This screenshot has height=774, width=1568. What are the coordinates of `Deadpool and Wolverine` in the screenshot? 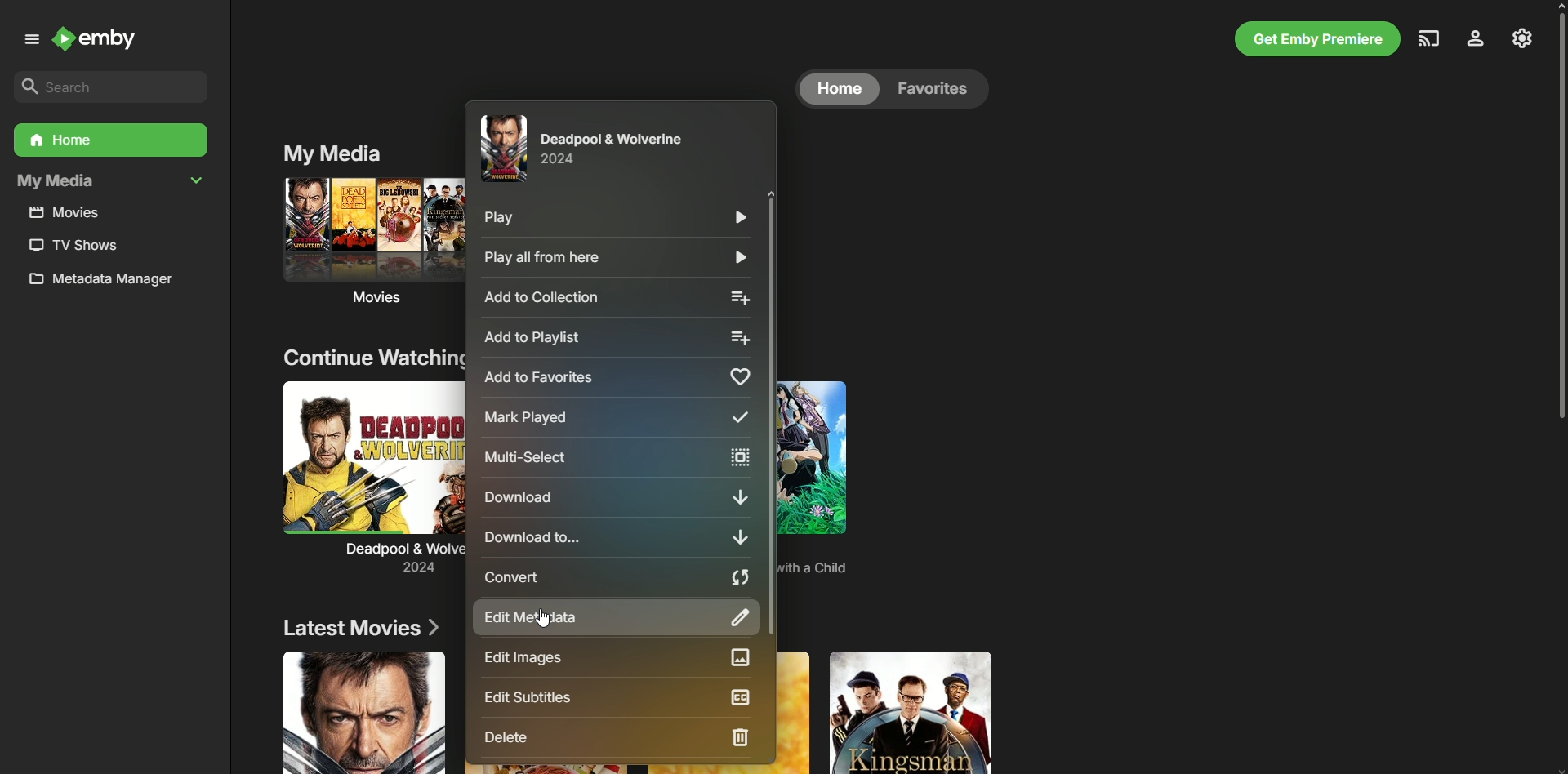 It's located at (366, 469).